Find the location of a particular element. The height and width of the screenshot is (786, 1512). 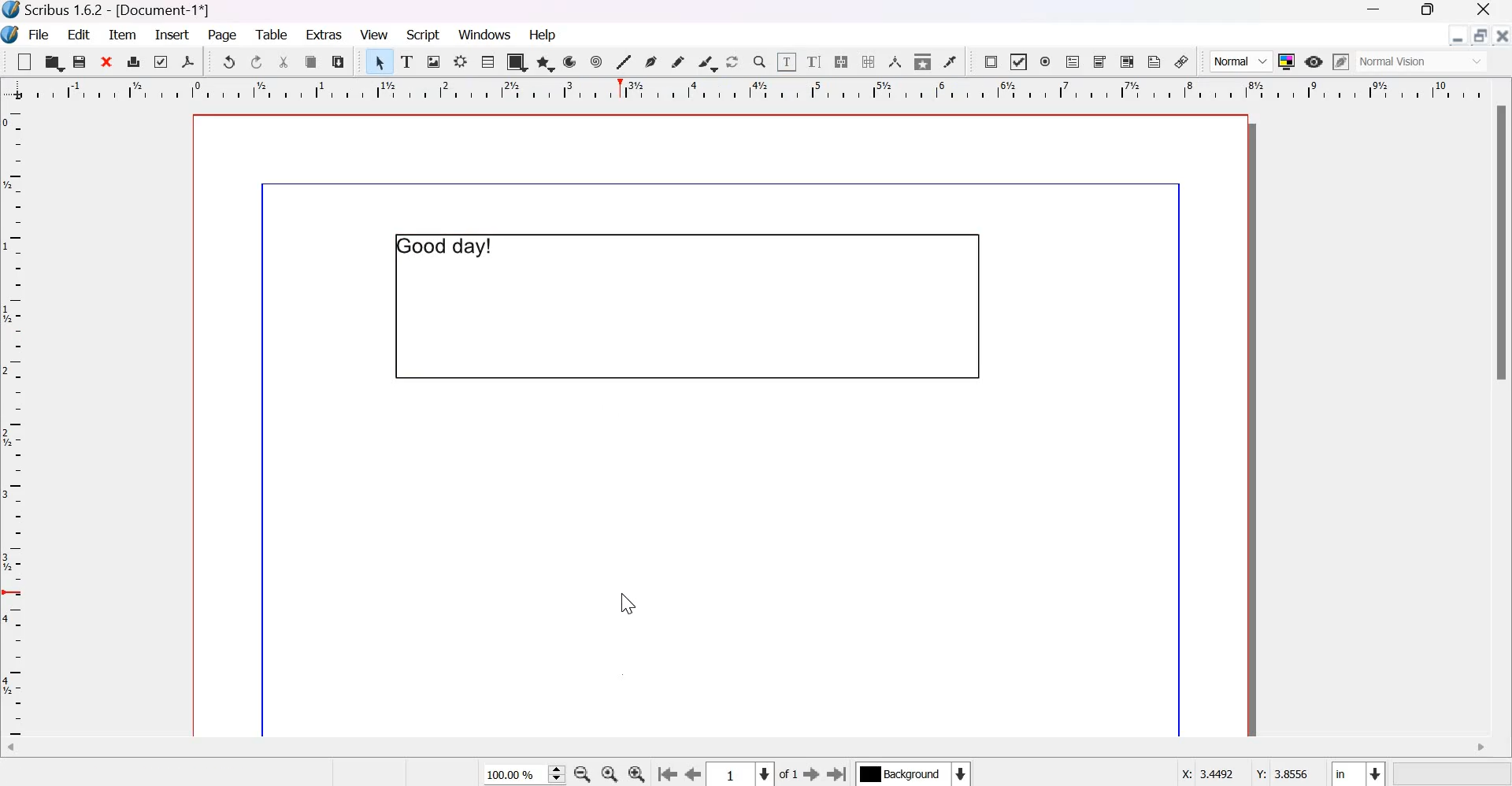

Scroll left is located at coordinates (24, 750).